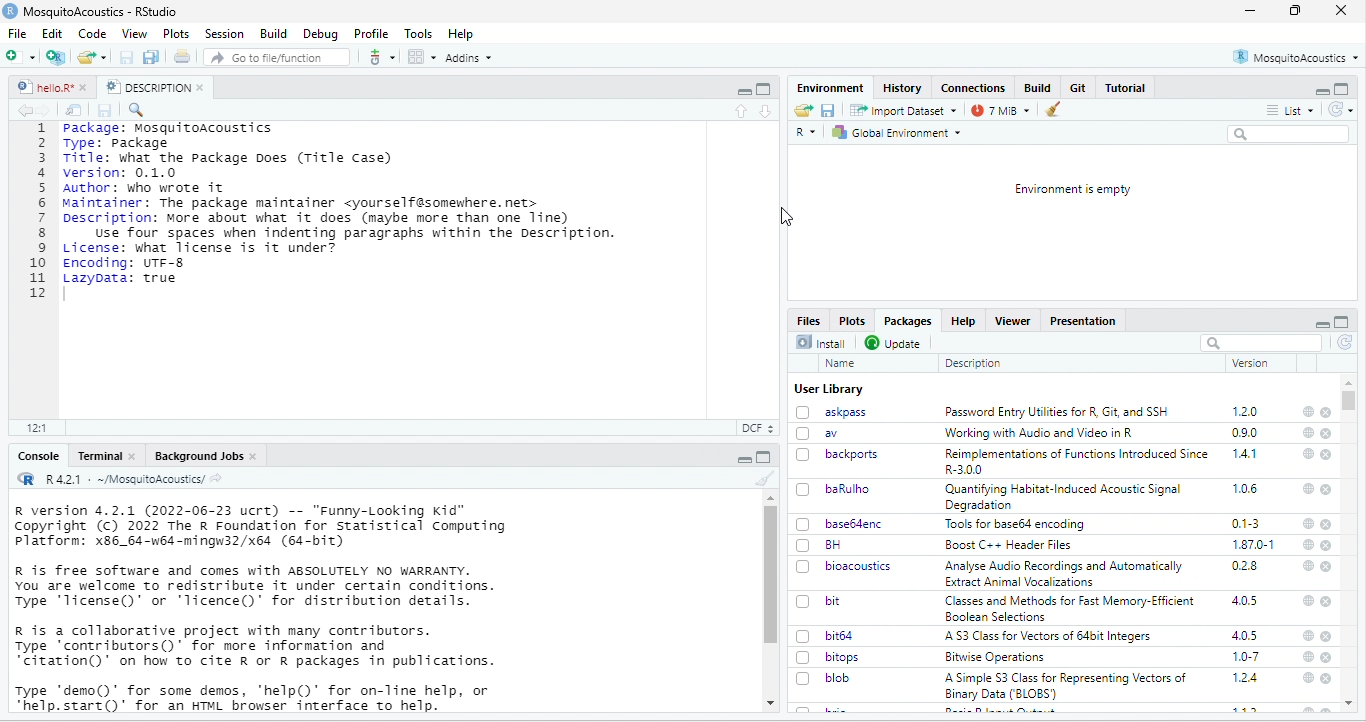 The image size is (1366, 722). What do you see at coordinates (760, 478) in the screenshot?
I see `clear console` at bounding box center [760, 478].